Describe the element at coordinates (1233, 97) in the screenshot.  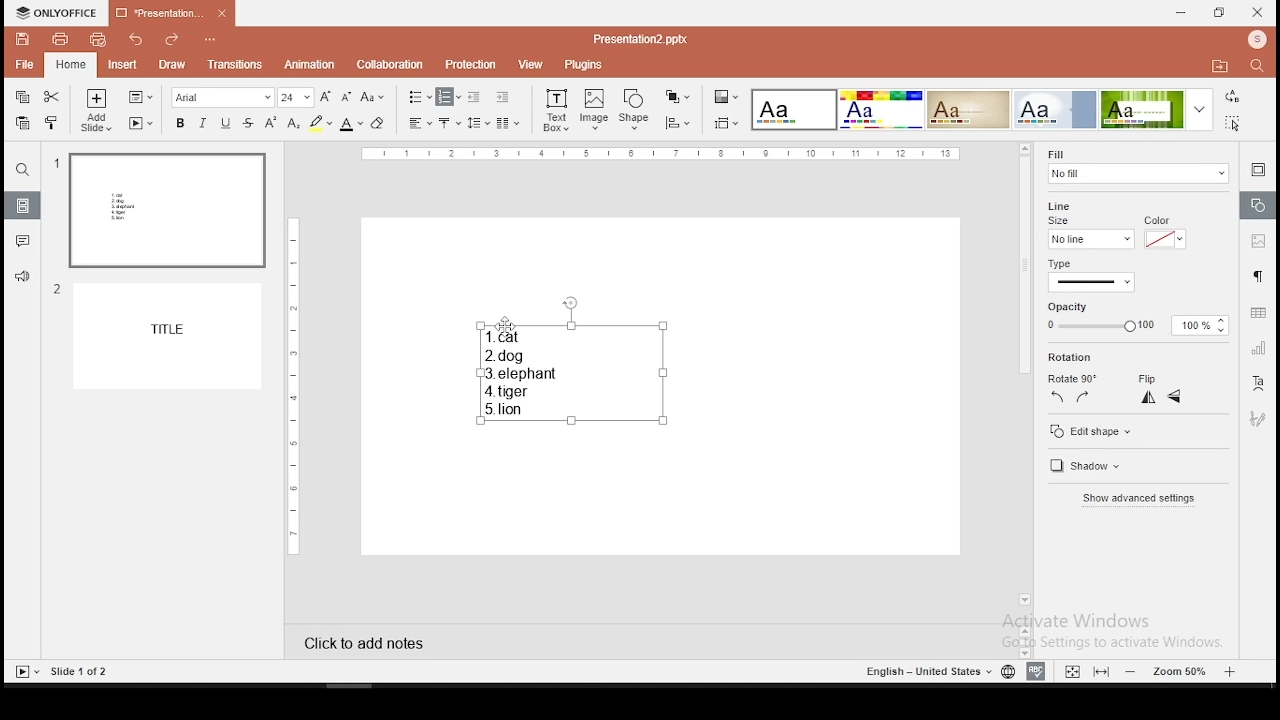
I see `replace` at that location.